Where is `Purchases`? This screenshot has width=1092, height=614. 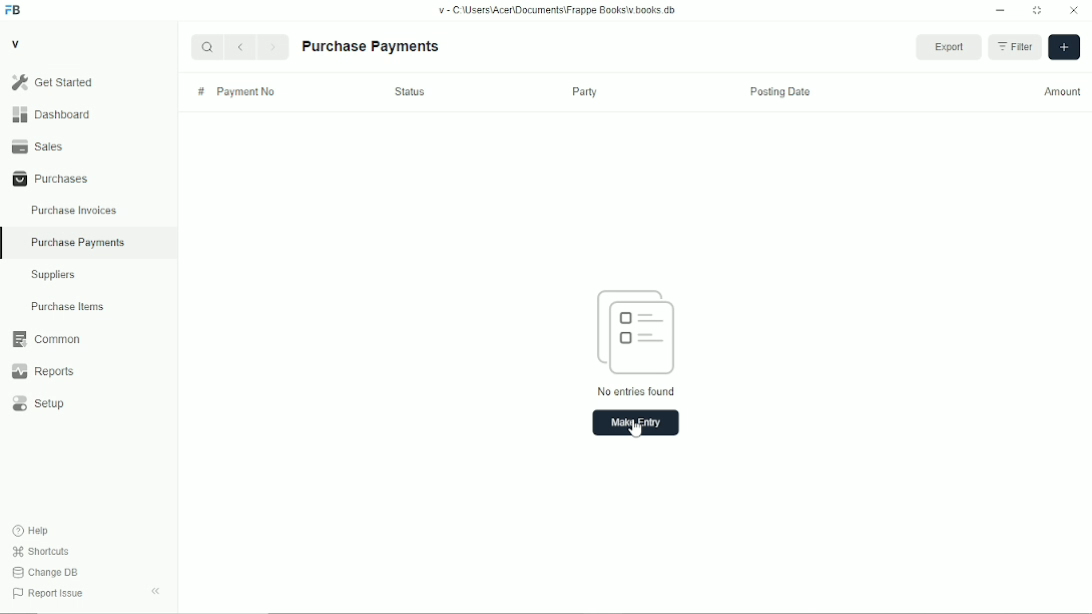
Purchases is located at coordinates (88, 178).